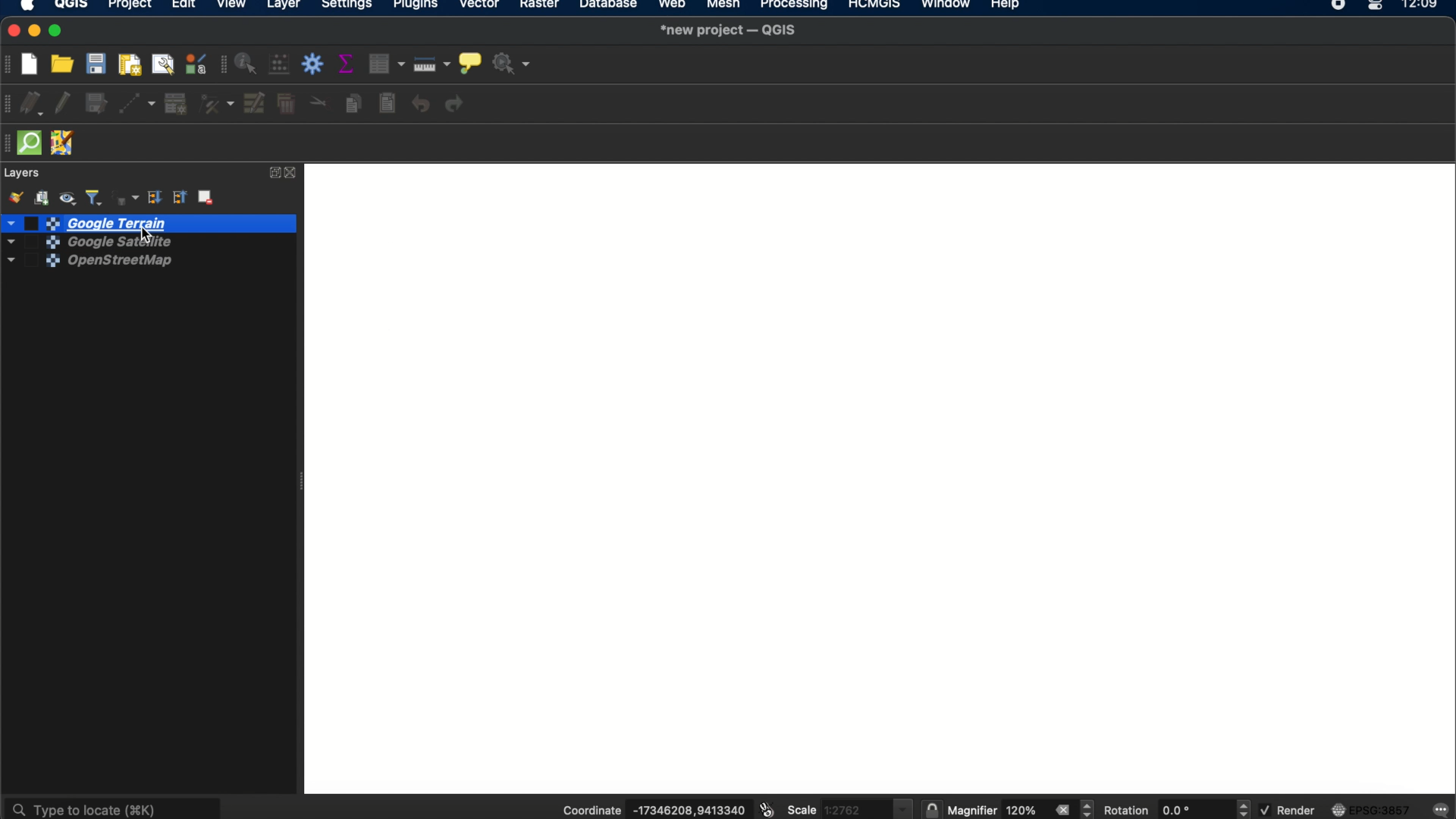 This screenshot has height=819, width=1456. I want to click on open field calculator, so click(281, 65).